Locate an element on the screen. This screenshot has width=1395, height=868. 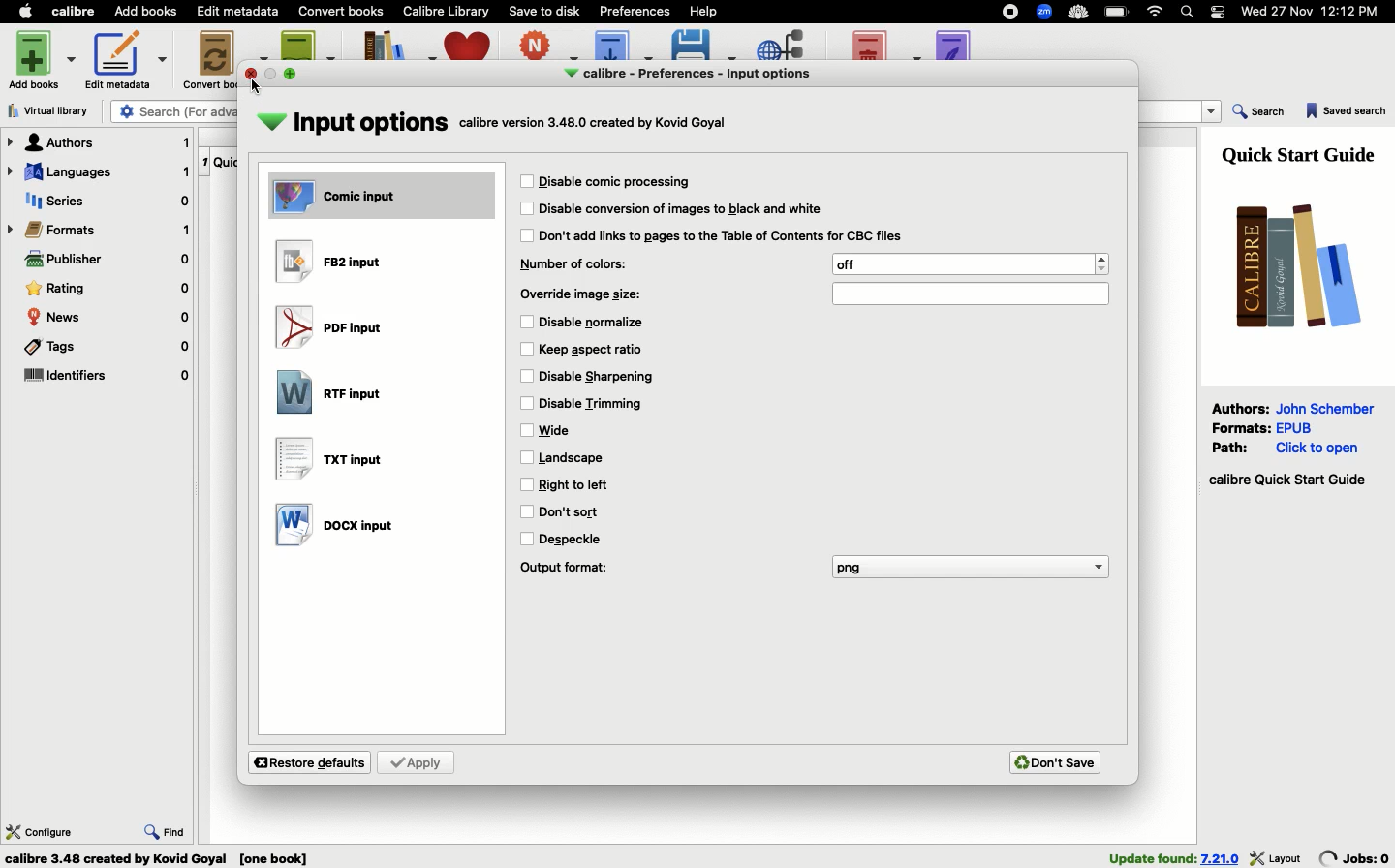
text is located at coordinates (597, 125).